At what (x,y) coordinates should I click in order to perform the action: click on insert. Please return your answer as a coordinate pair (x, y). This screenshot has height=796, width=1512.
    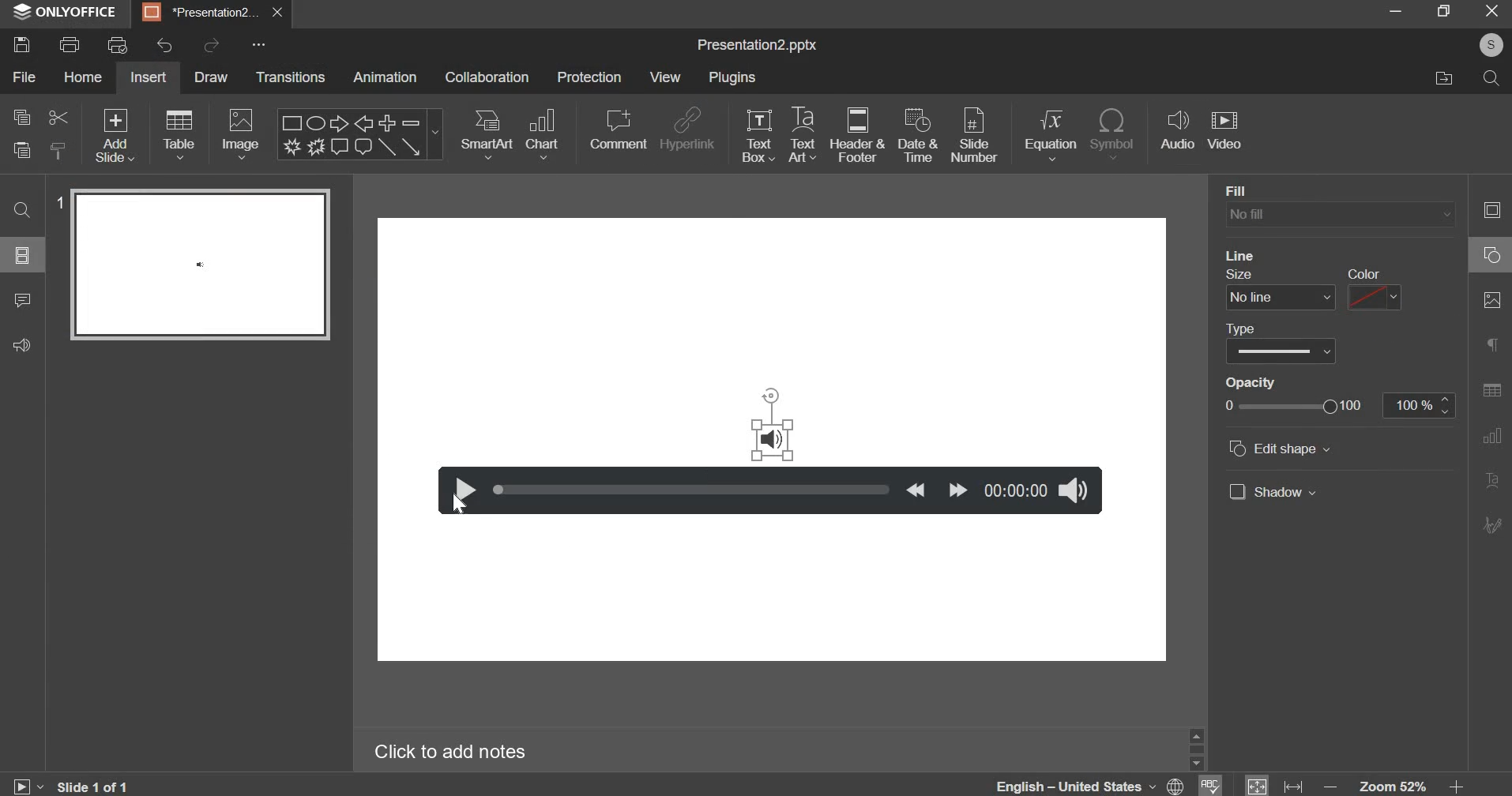
    Looking at the image, I should click on (148, 77).